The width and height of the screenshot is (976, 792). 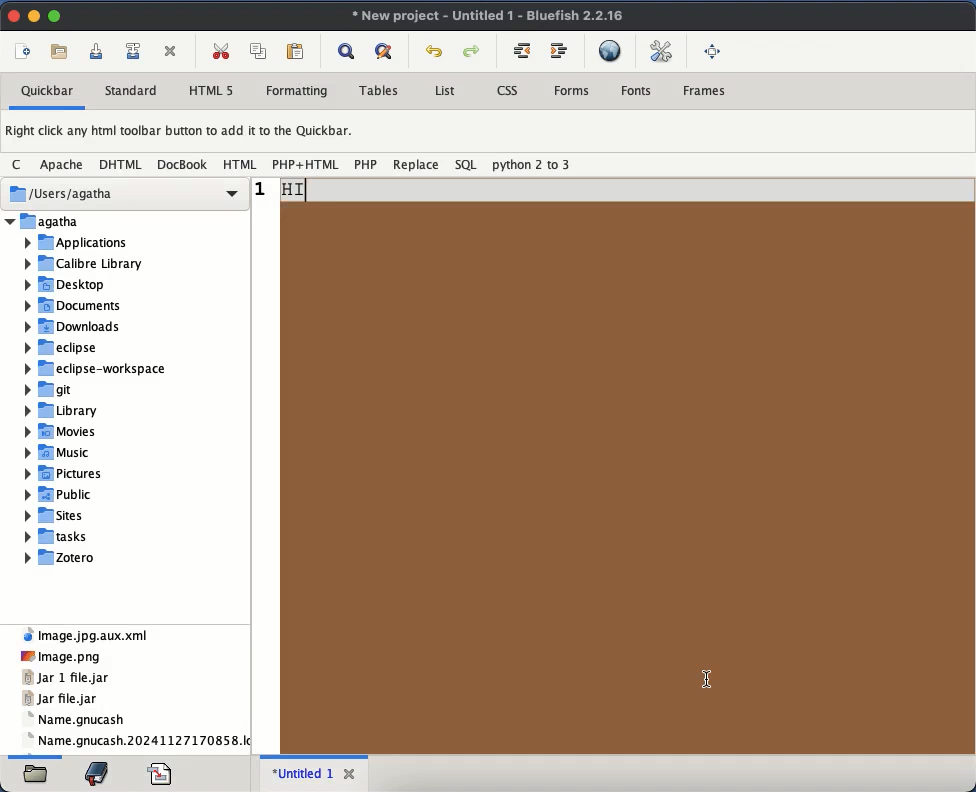 What do you see at coordinates (473, 52) in the screenshot?
I see `redo` at bounding box center [473, 52].